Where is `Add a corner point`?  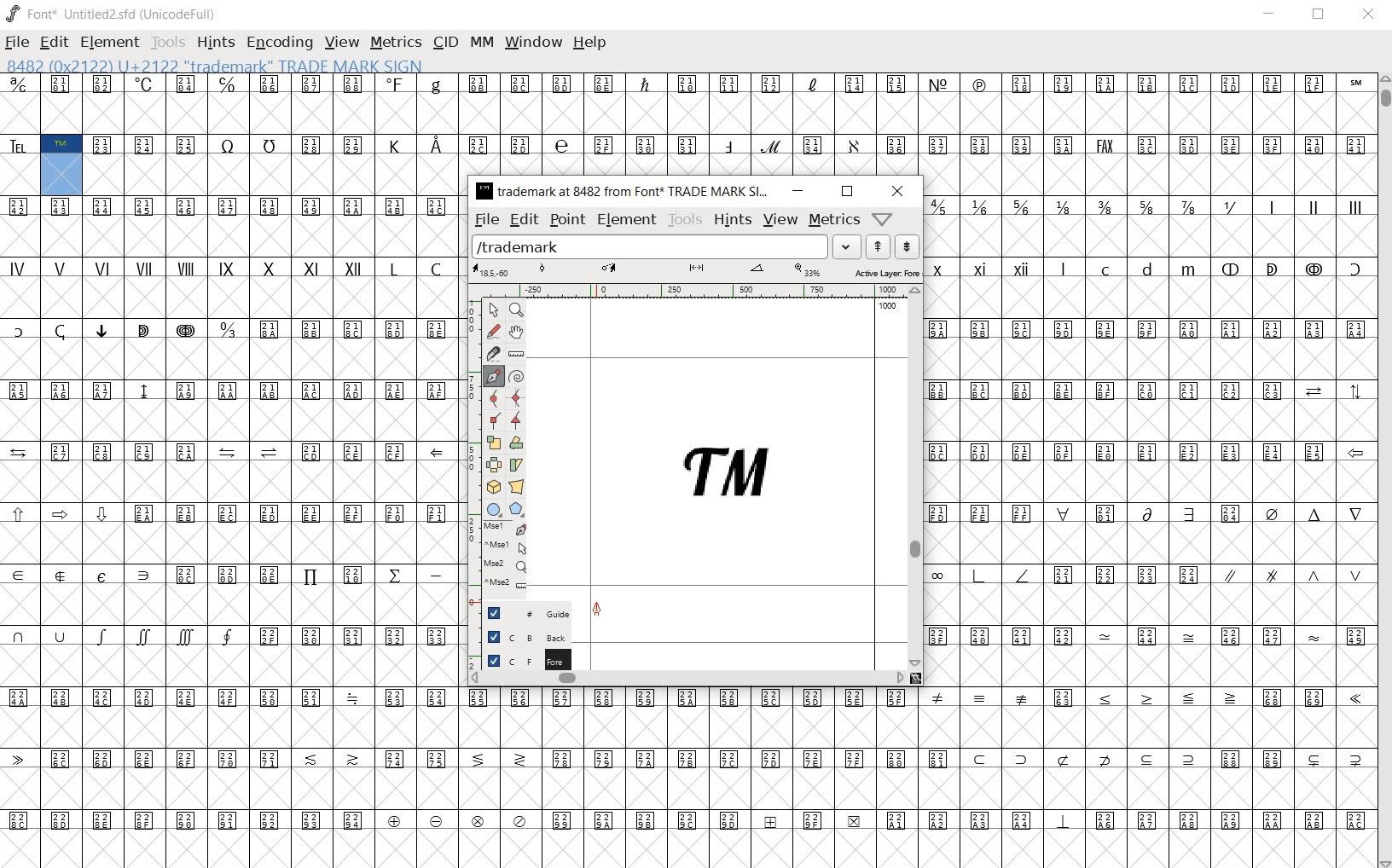 Add a corner point is located at coordinates (493, 420).